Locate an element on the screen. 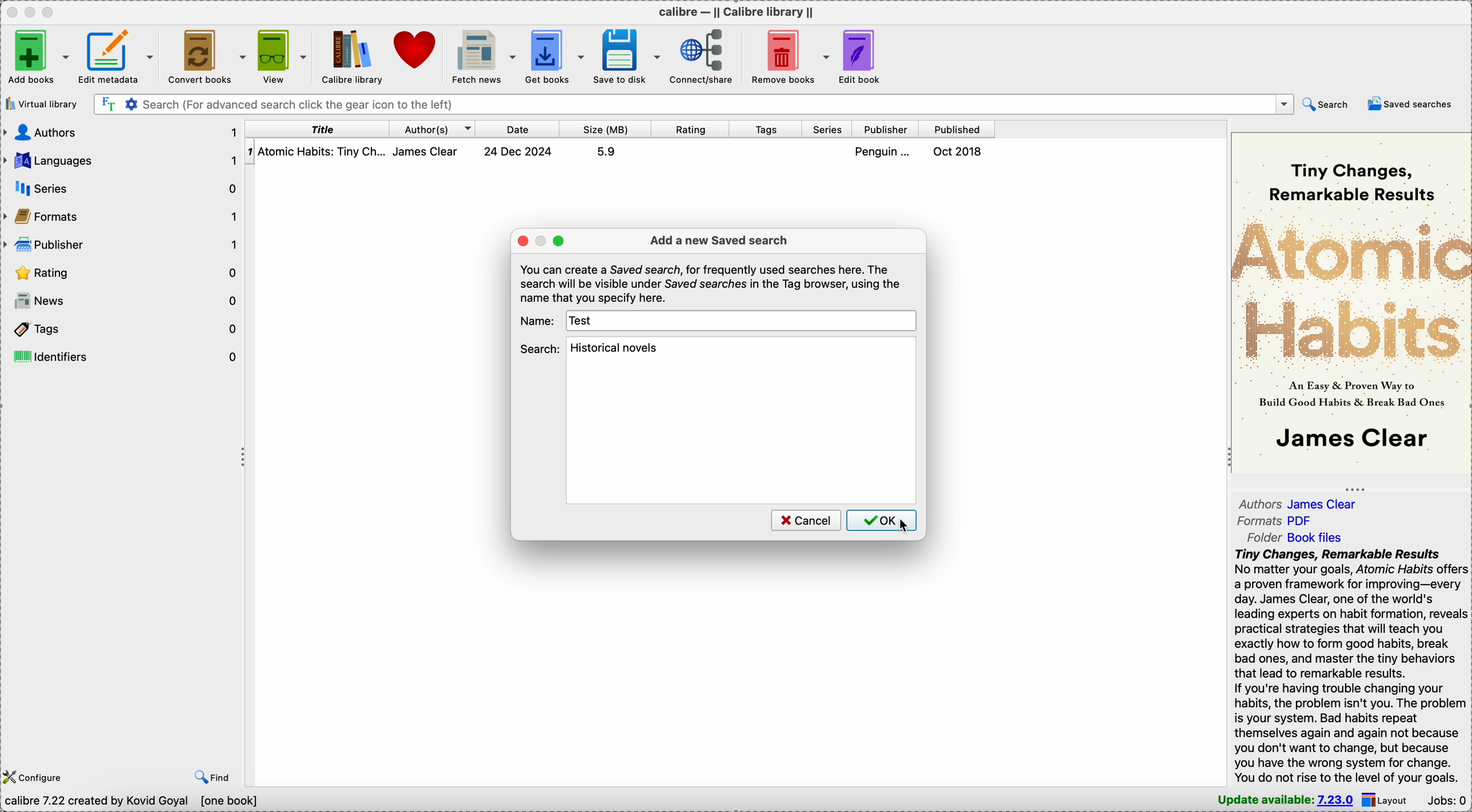 Image resolution: width=1472 pixels, height=812 pixels. size is located at coordinates (606, 129).